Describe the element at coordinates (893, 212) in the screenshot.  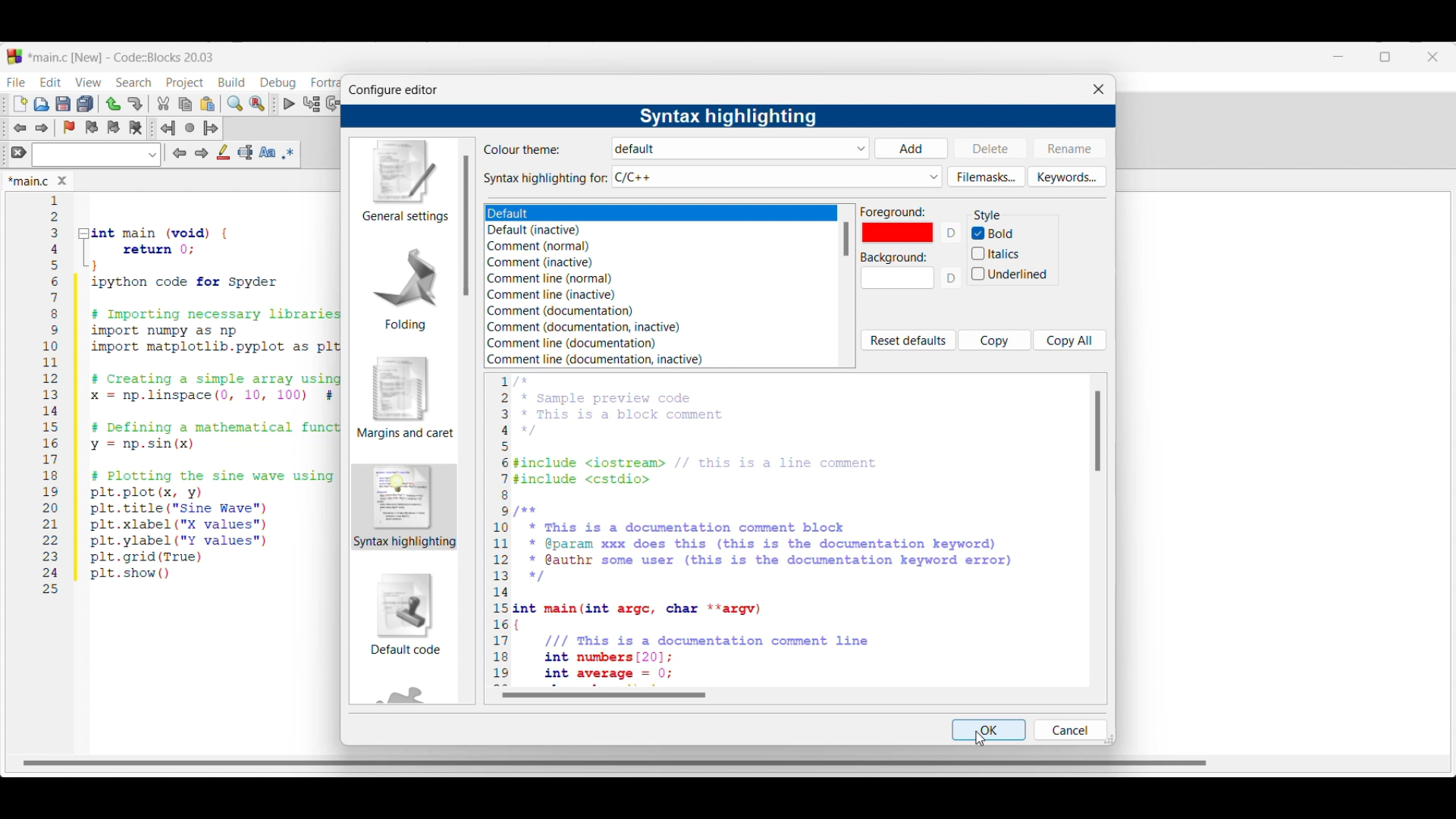
I see `Indicates foreground color options` at that location.